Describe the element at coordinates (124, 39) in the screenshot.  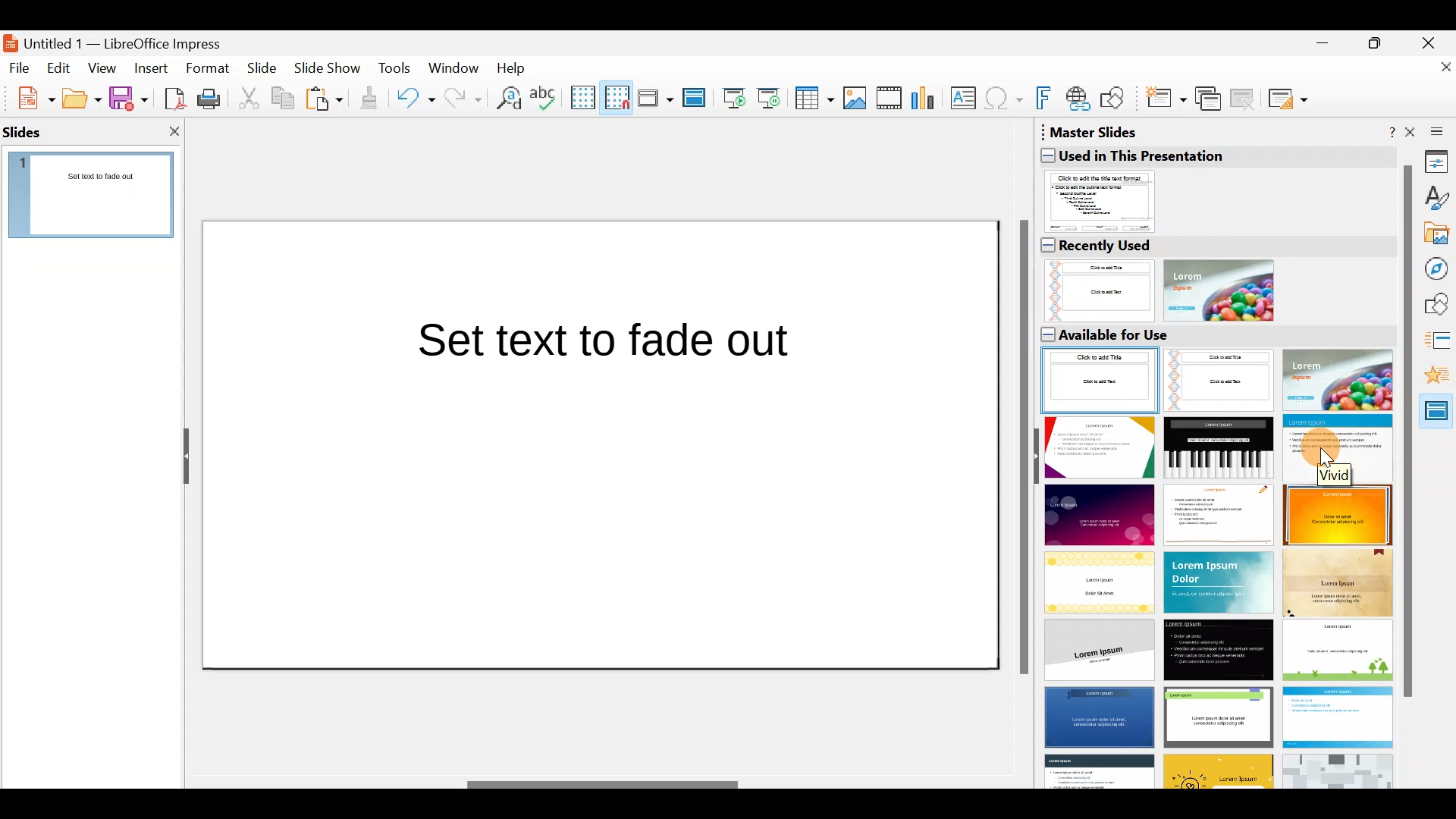
I see `Document name` at that location.